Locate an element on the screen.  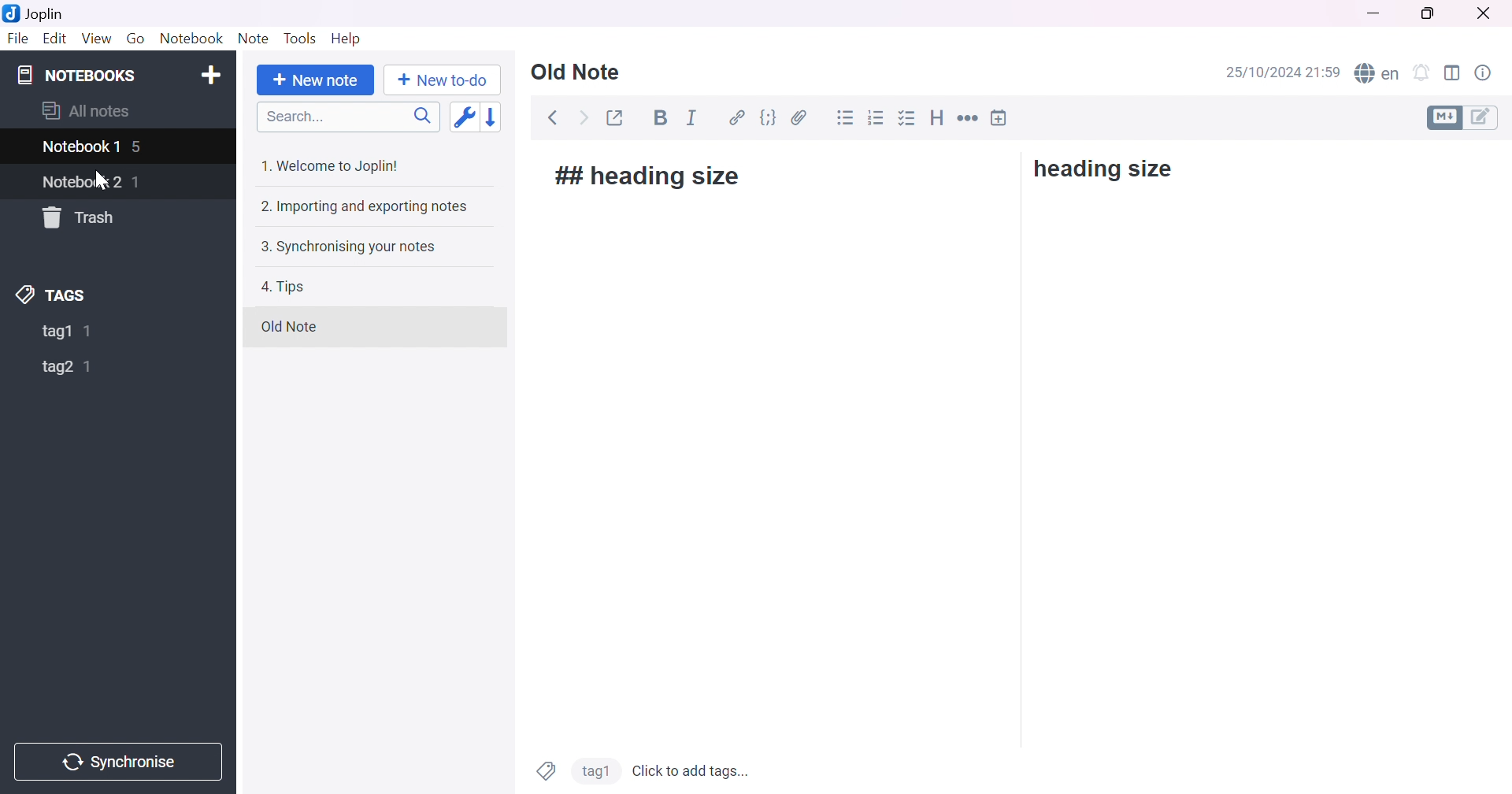
All notes is located at coordinates (86, 109).